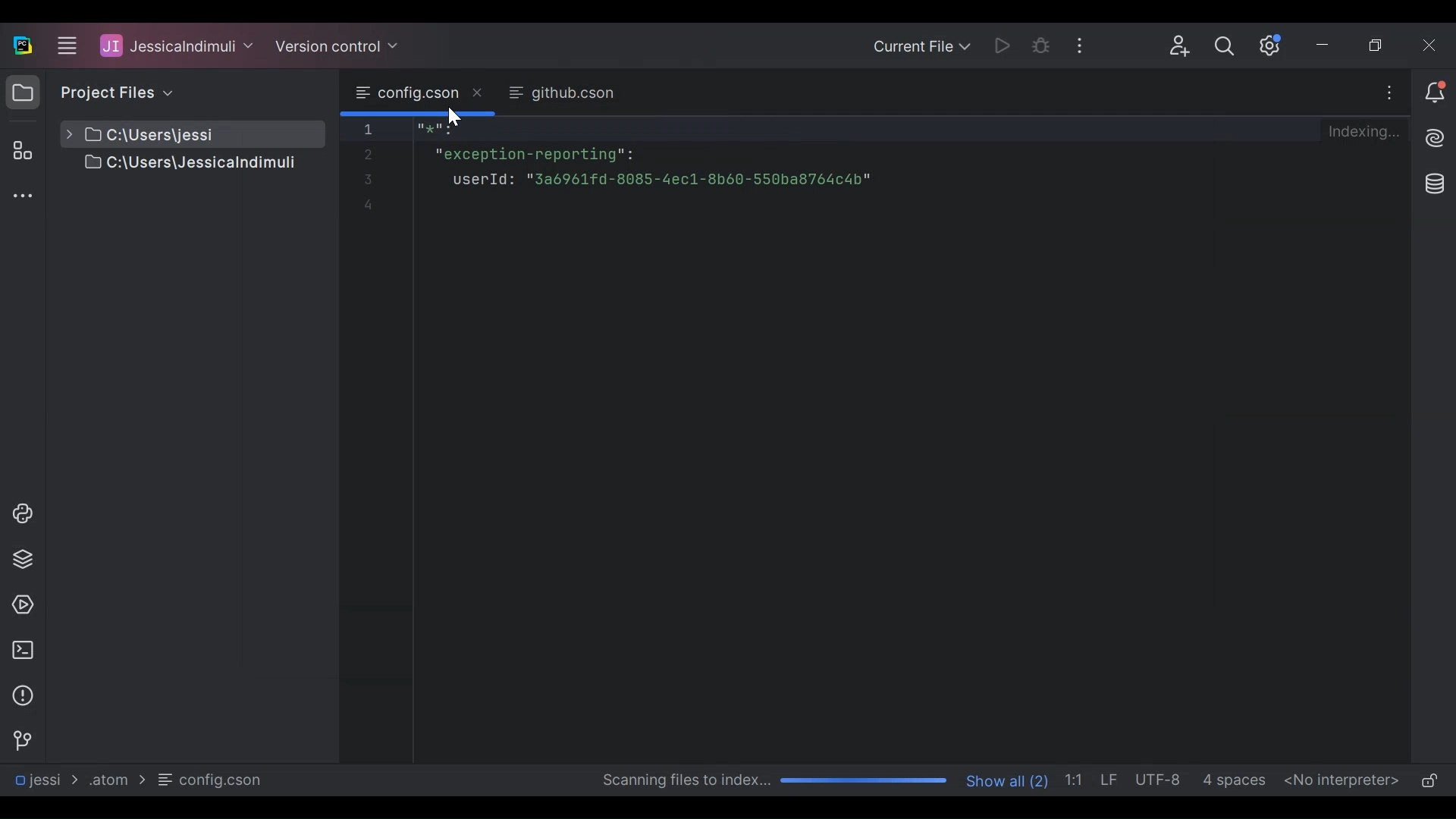 The image size is (1456, 819). What do you see at coordinates (1180, 47) in the screenshot?
I see `Code with me` at bounding box center [1180, 47].